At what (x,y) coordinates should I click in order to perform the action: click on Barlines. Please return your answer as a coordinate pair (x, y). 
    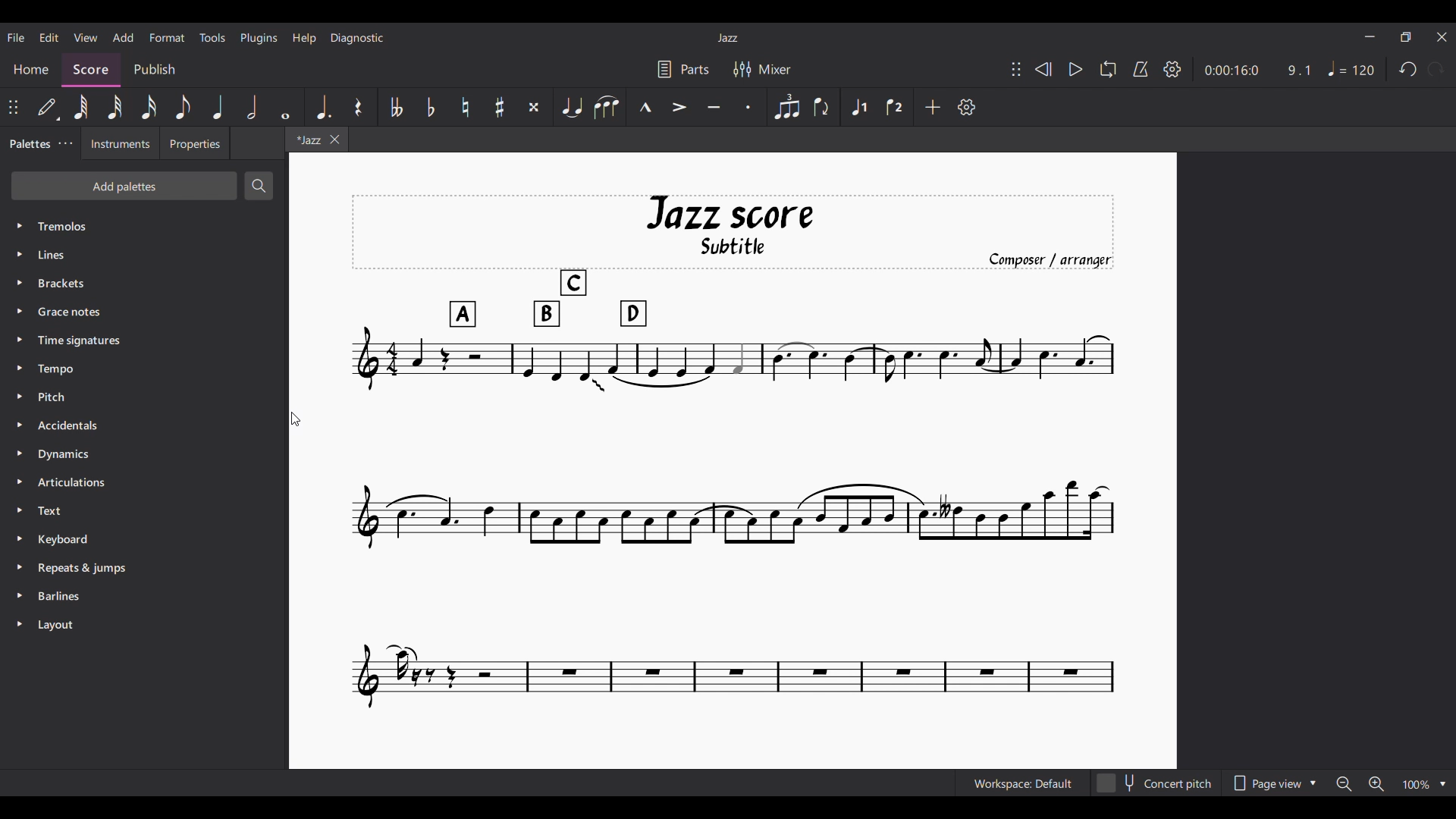
    Looking at the image, I should click on (144, 596).